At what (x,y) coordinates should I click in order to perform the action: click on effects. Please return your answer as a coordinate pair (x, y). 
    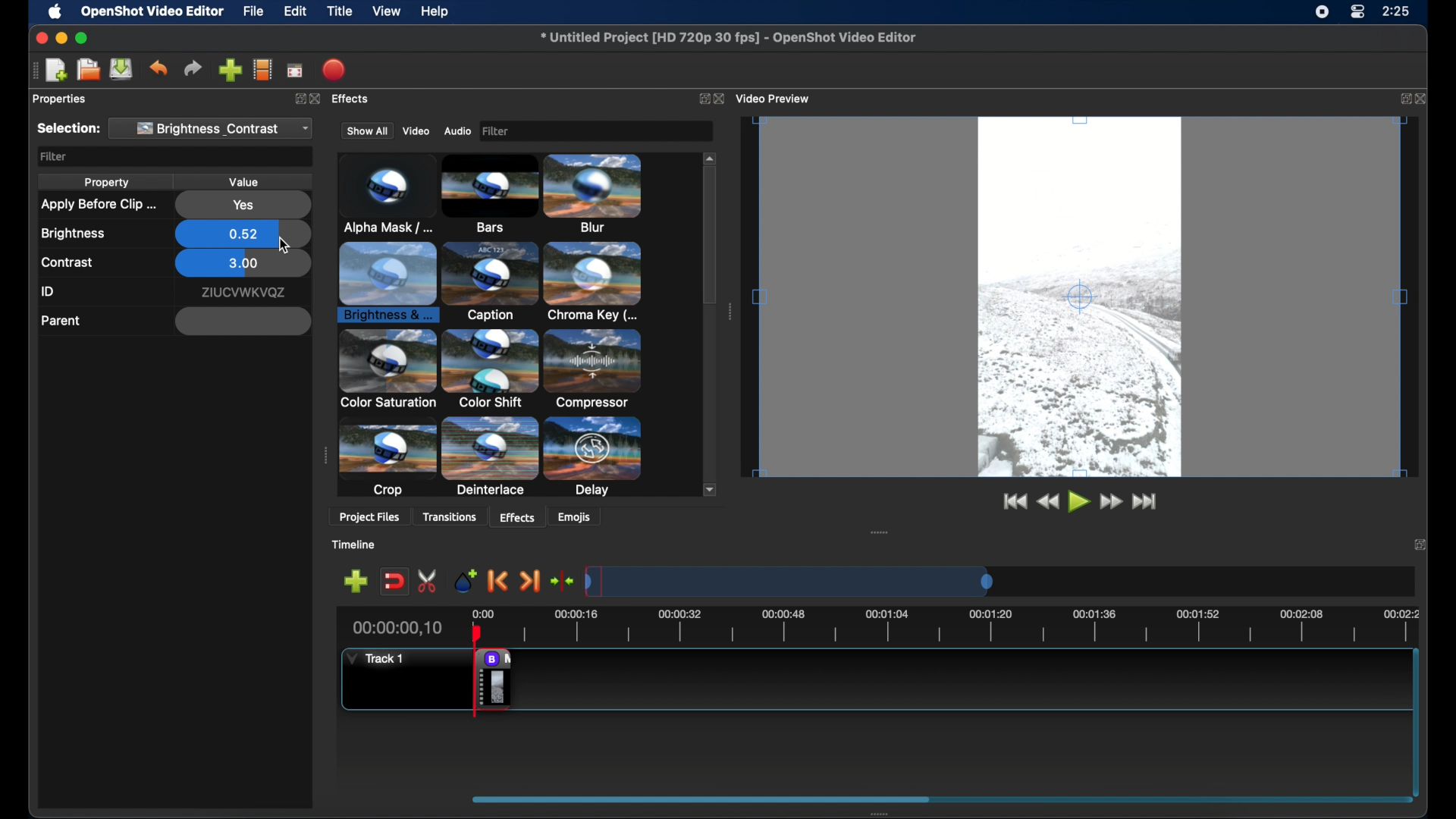
    Looking at the image, I should click on (356, 101).